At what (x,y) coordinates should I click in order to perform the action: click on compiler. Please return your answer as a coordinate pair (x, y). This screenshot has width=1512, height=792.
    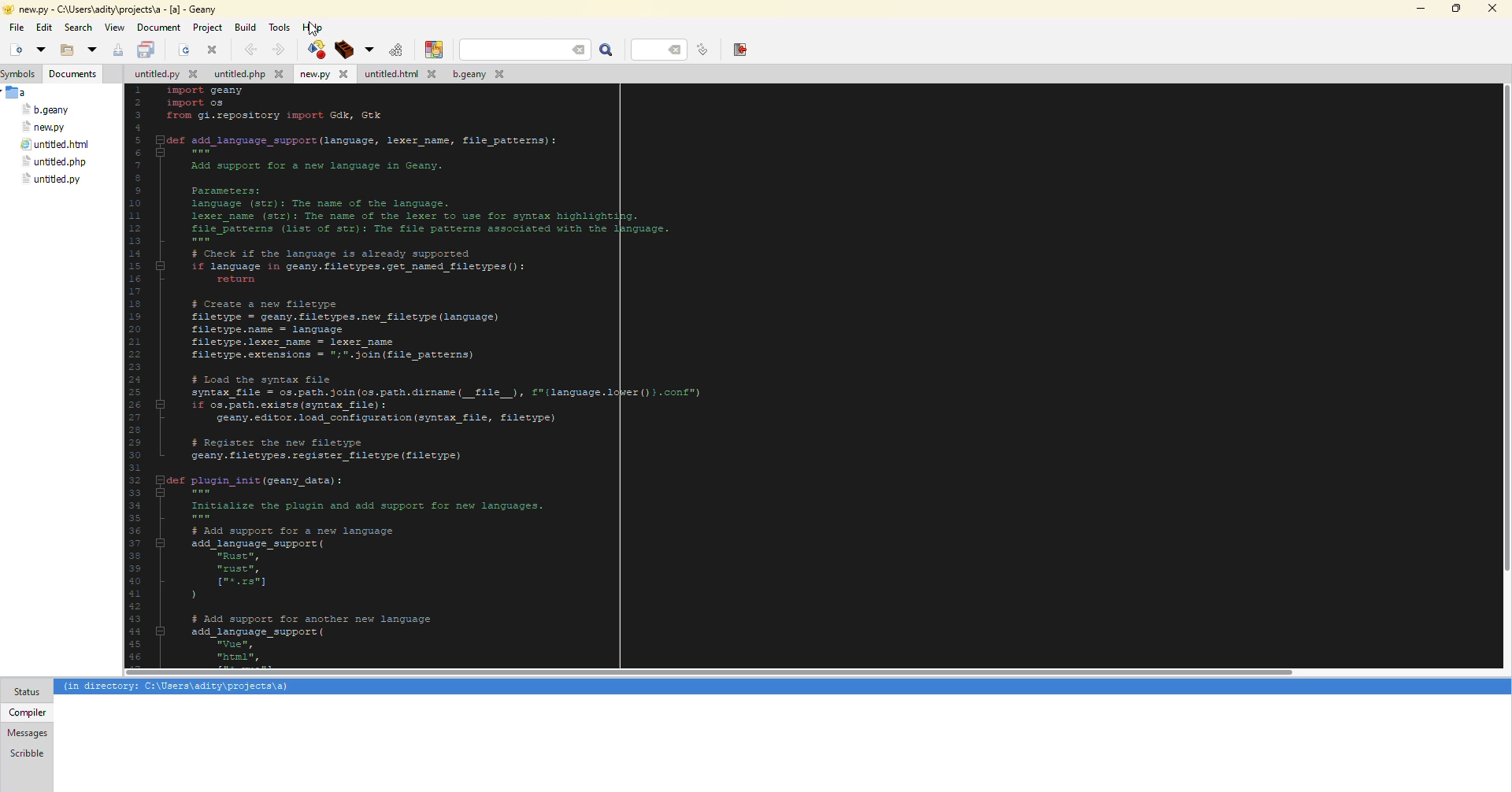
    Looking at the image, I should click on (26, 712).